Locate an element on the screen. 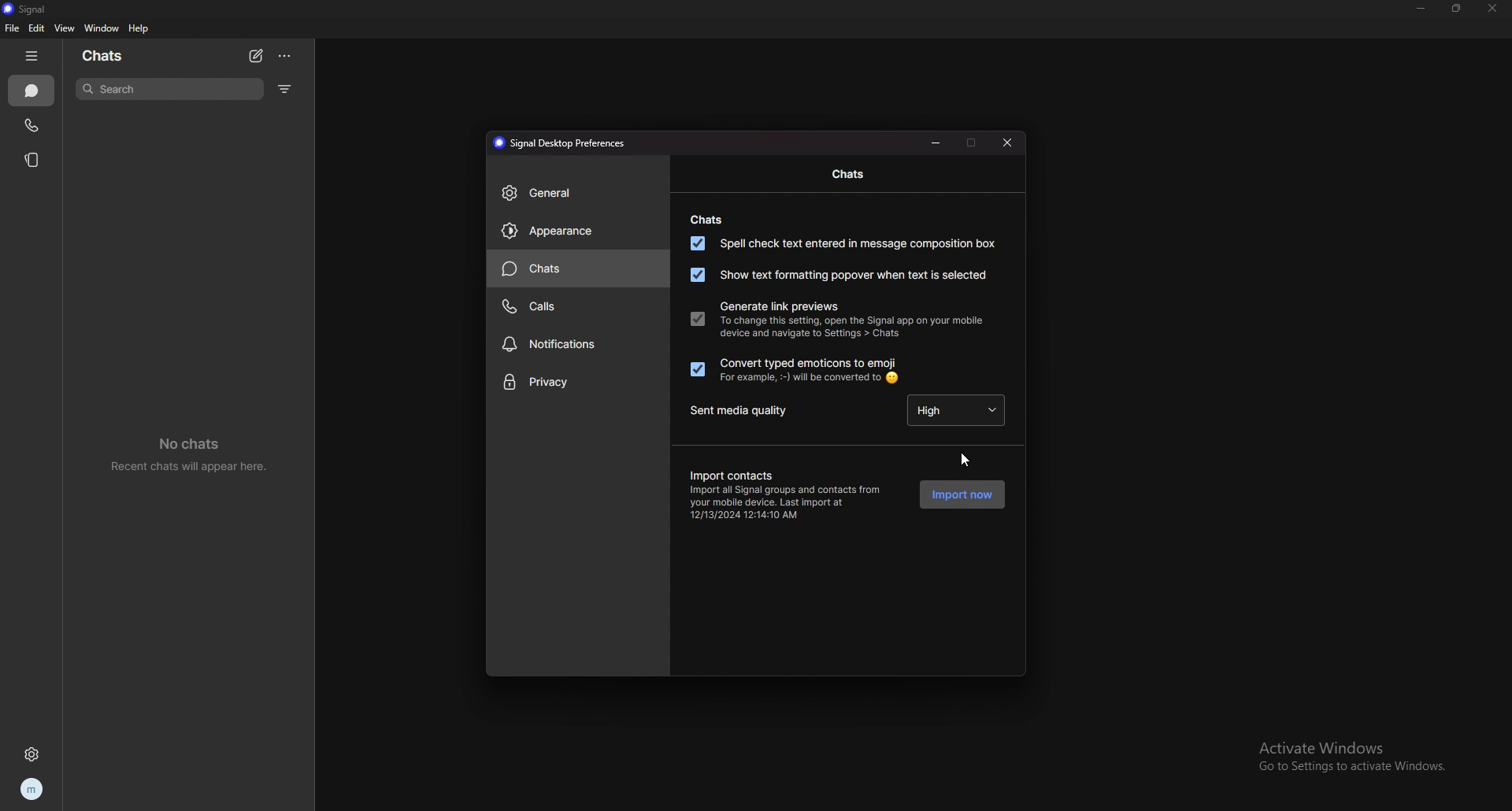 The image size is (1512, 811). import now is located at coordinates (962, 494).